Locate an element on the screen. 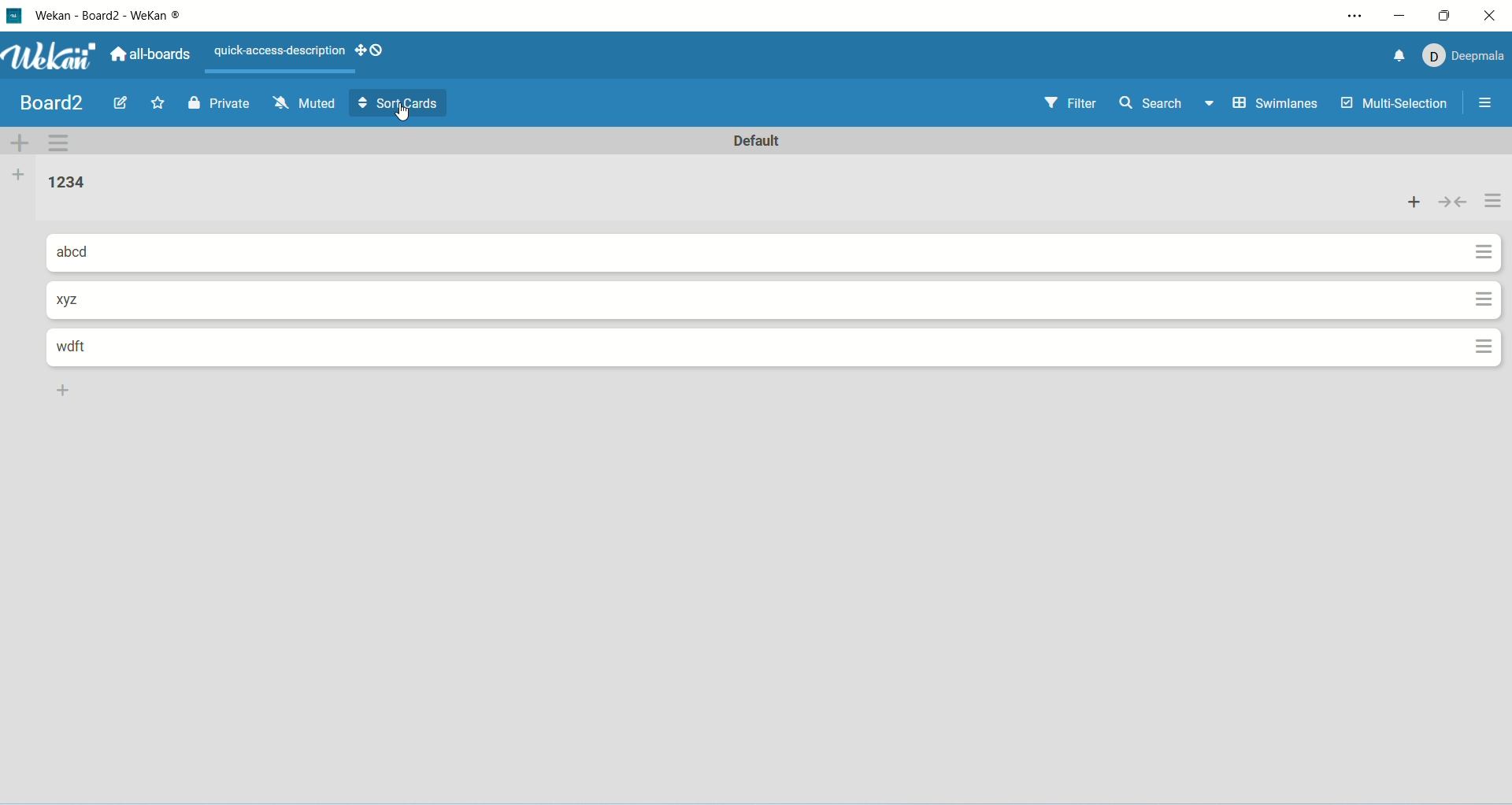 This screenshot has width=1512, height=805. logo is located at coordinates (16, 18).